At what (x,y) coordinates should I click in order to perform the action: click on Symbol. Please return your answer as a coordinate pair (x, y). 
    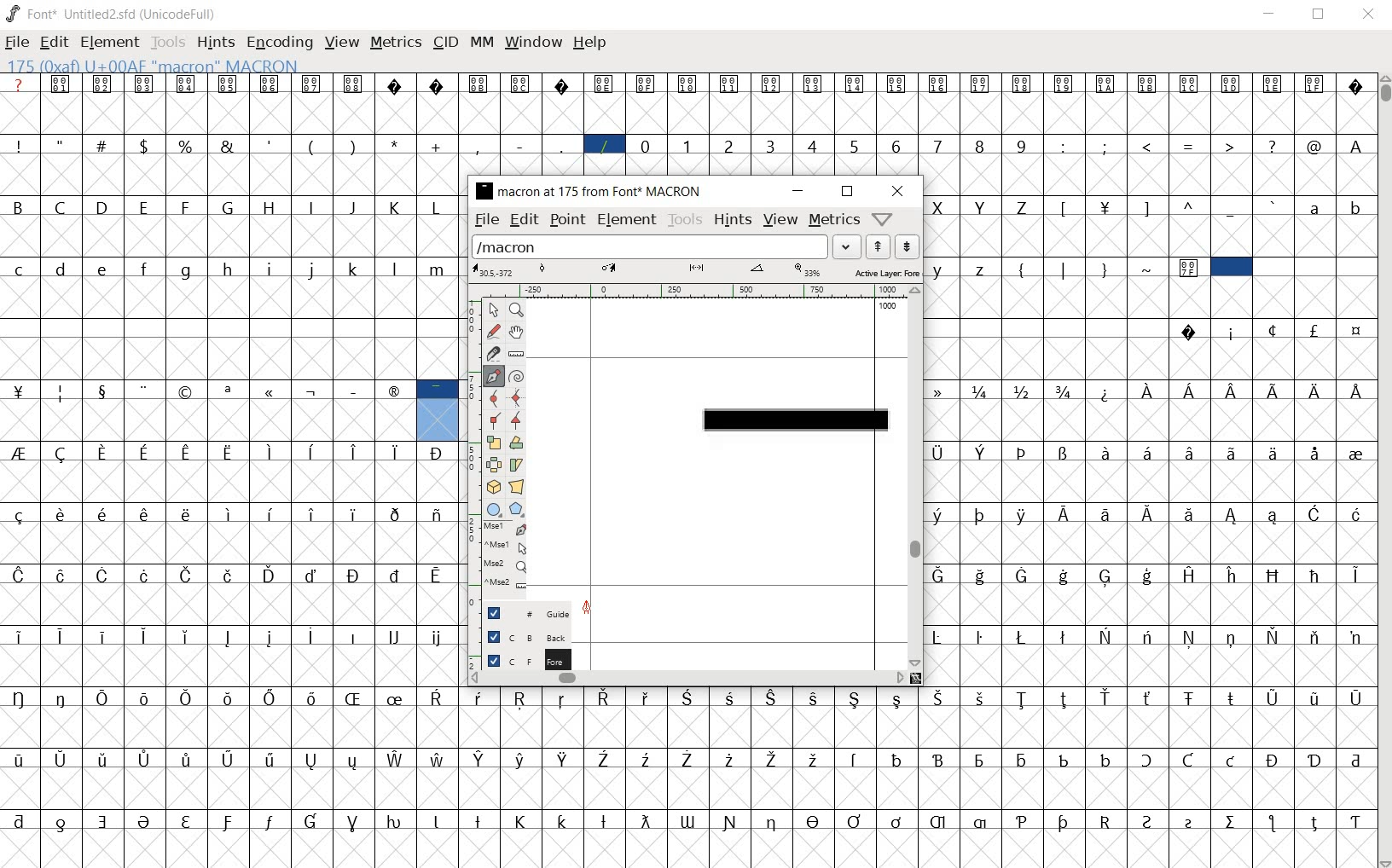
    Looking at the image, I should click on (1230, 574).